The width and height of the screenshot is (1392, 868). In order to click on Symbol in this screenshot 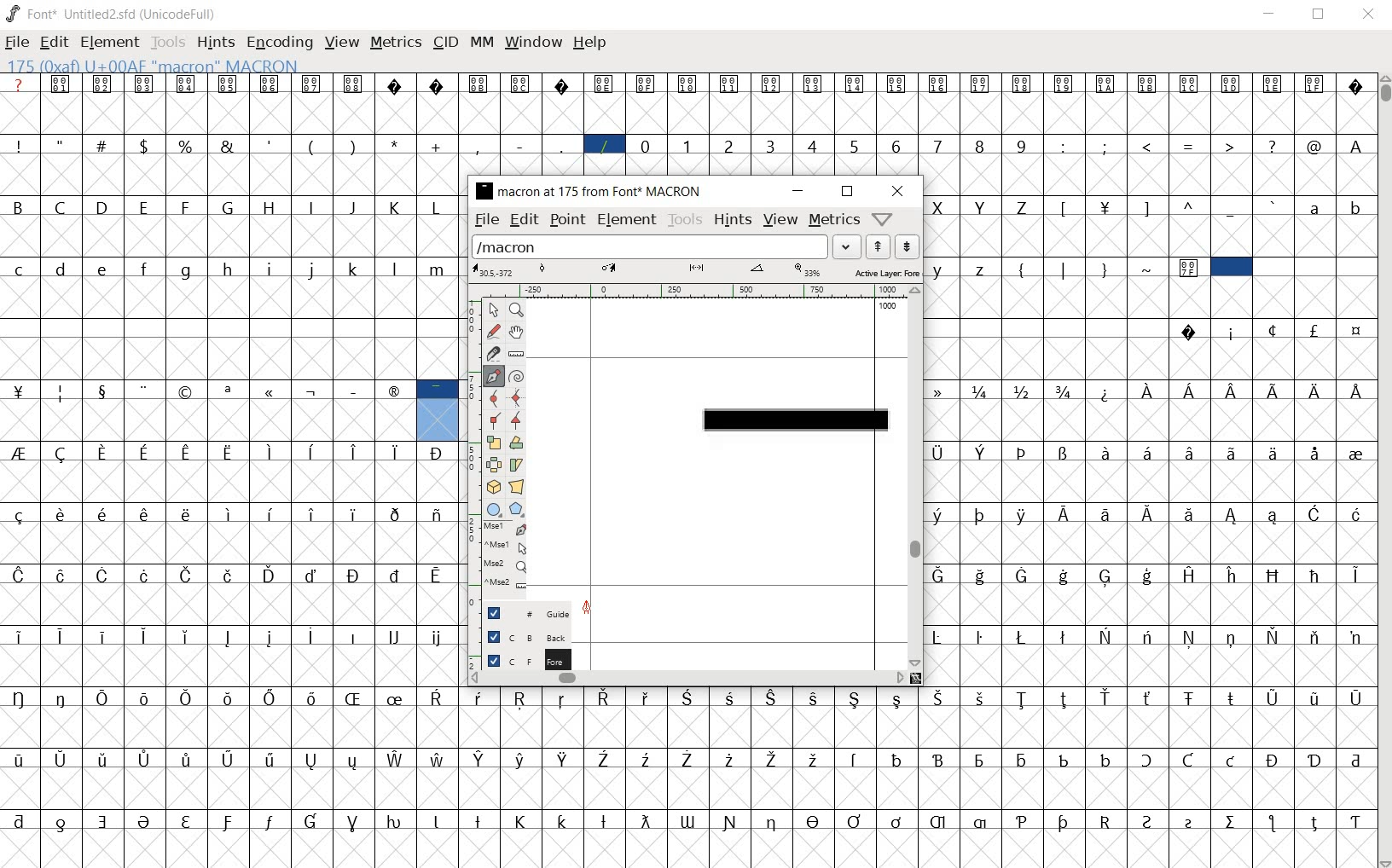, I will do `click(231, 451)`.